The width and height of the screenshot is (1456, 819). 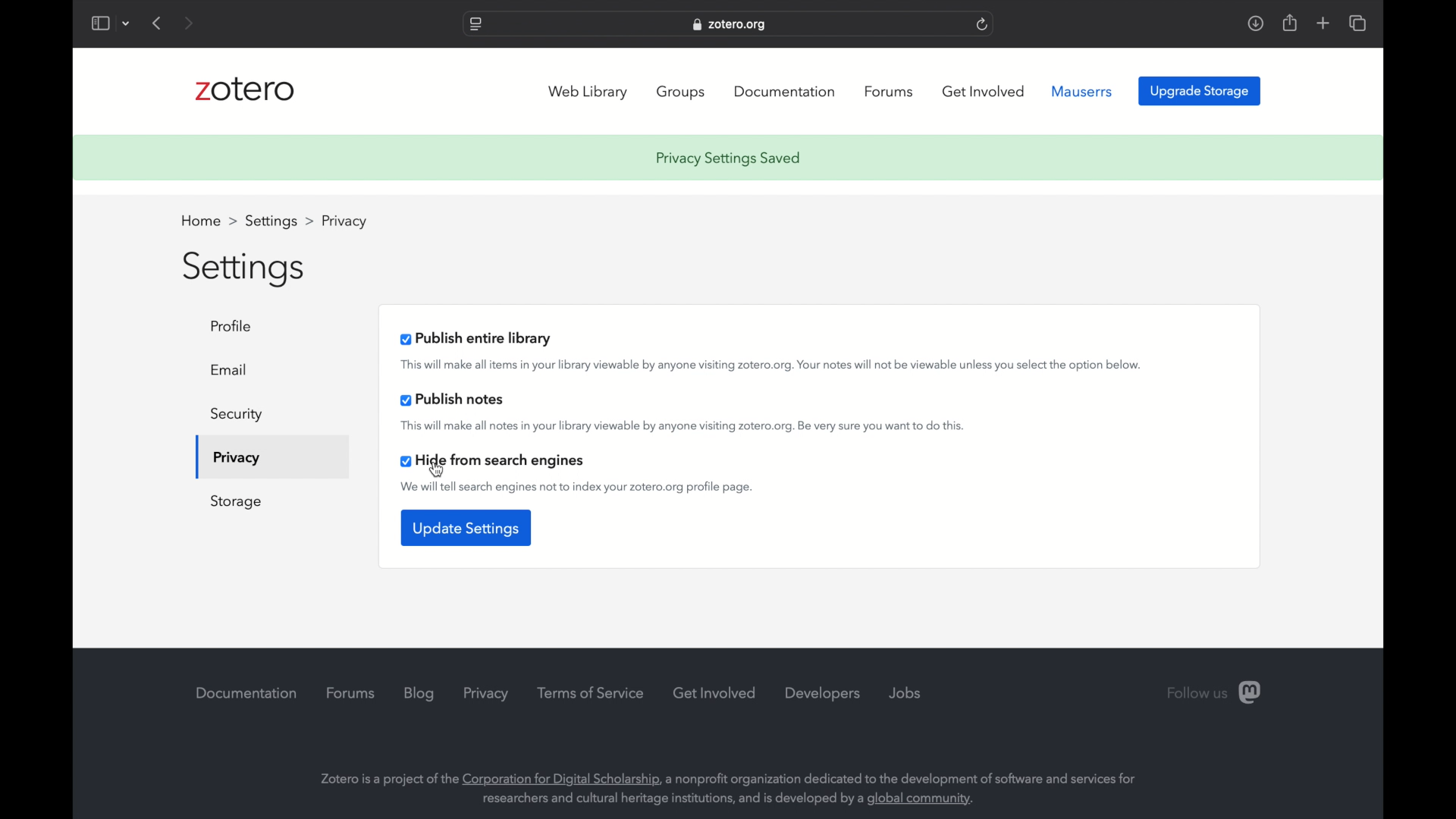 I want to click on downloads, so click(x=1256, y=23).